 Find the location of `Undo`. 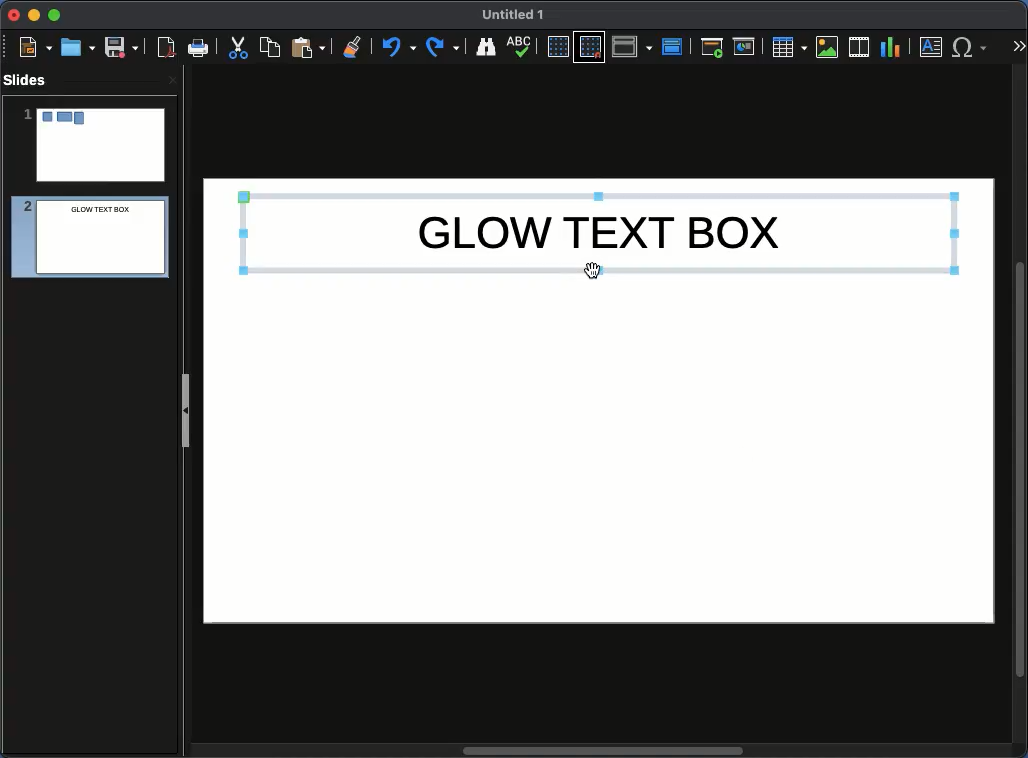

Undo is located at coordinates (397, 47).